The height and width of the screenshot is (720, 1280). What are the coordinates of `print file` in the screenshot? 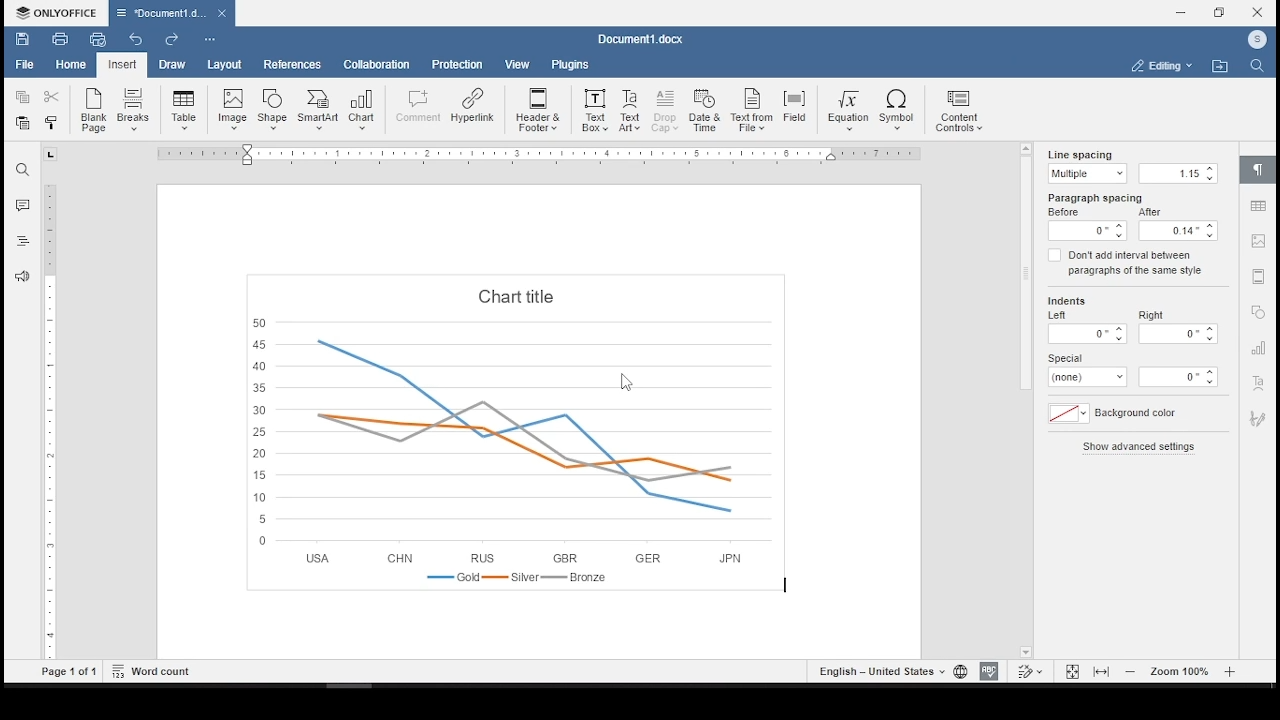 It's located at (59, 38).